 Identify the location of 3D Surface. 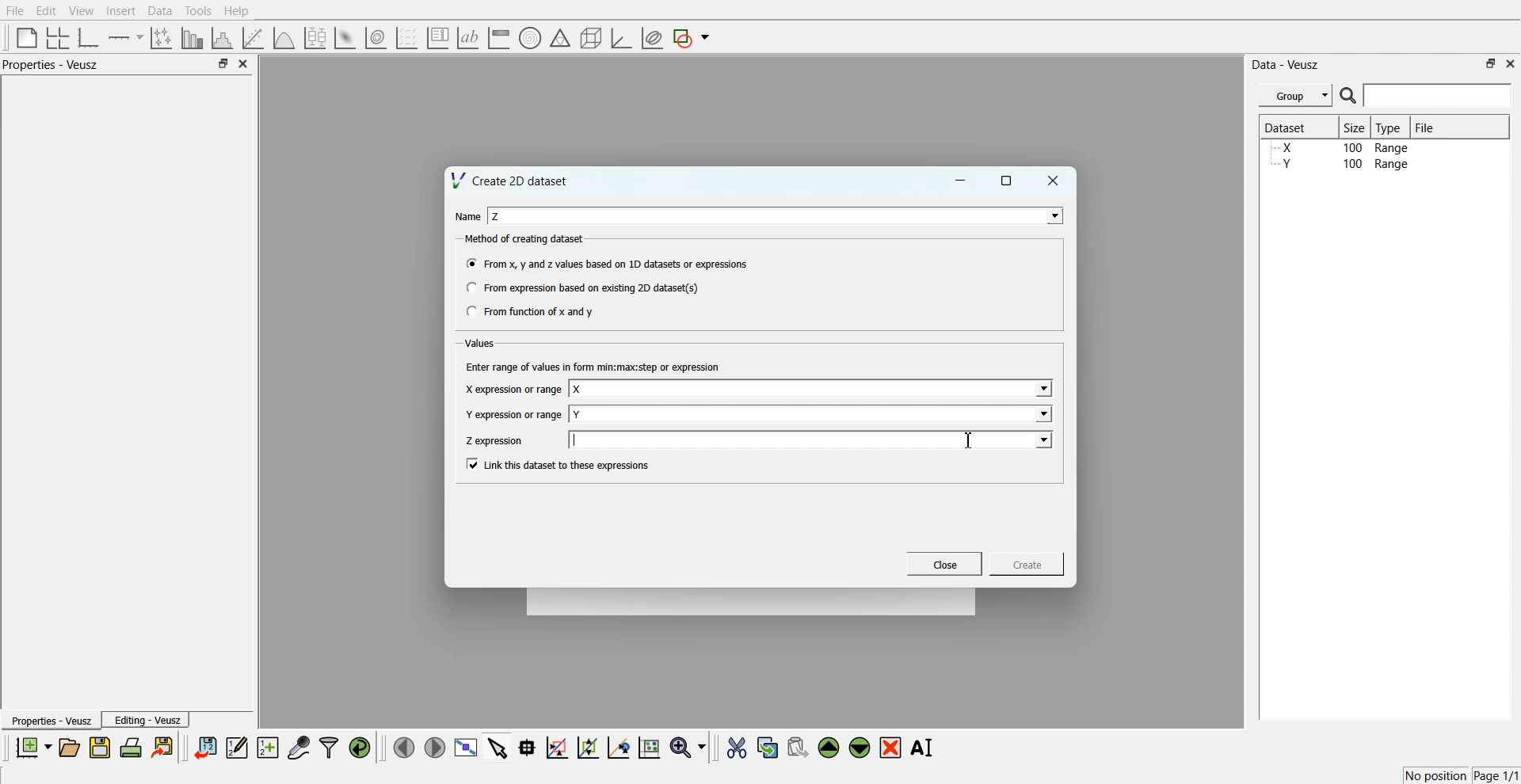
(345, 38).